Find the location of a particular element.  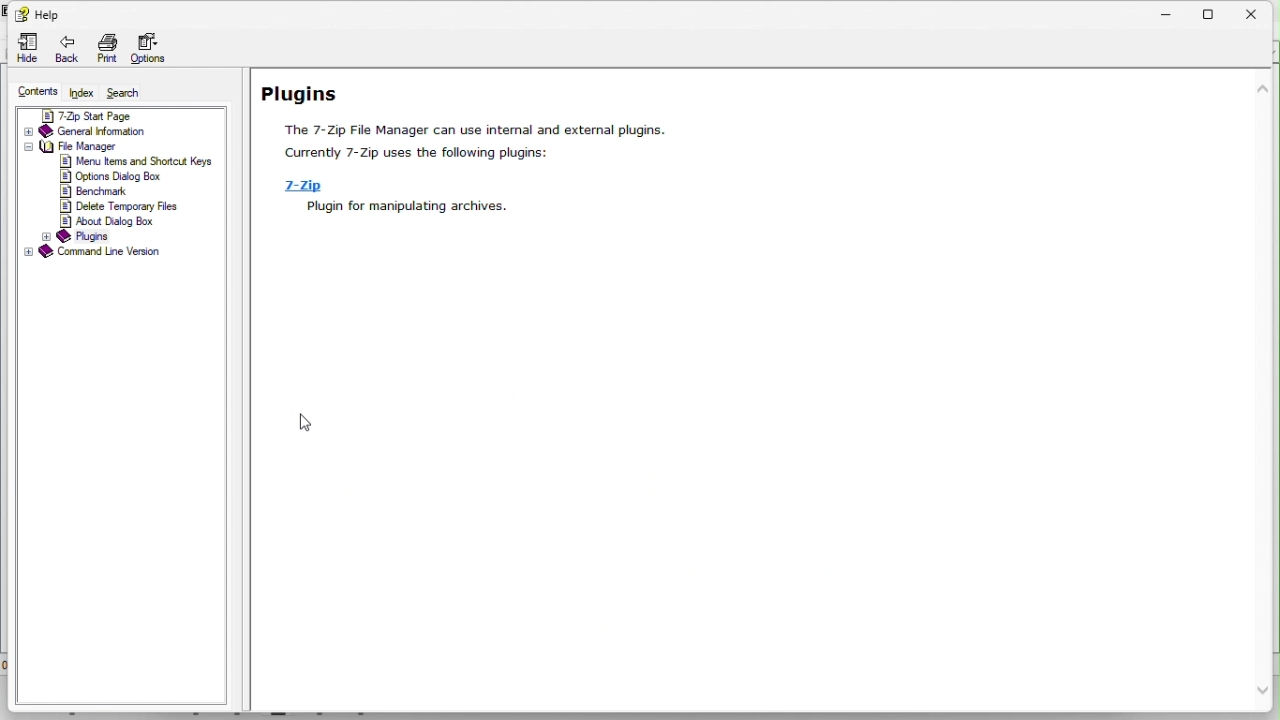

scroll bar is located at coordinates (1265, 394).